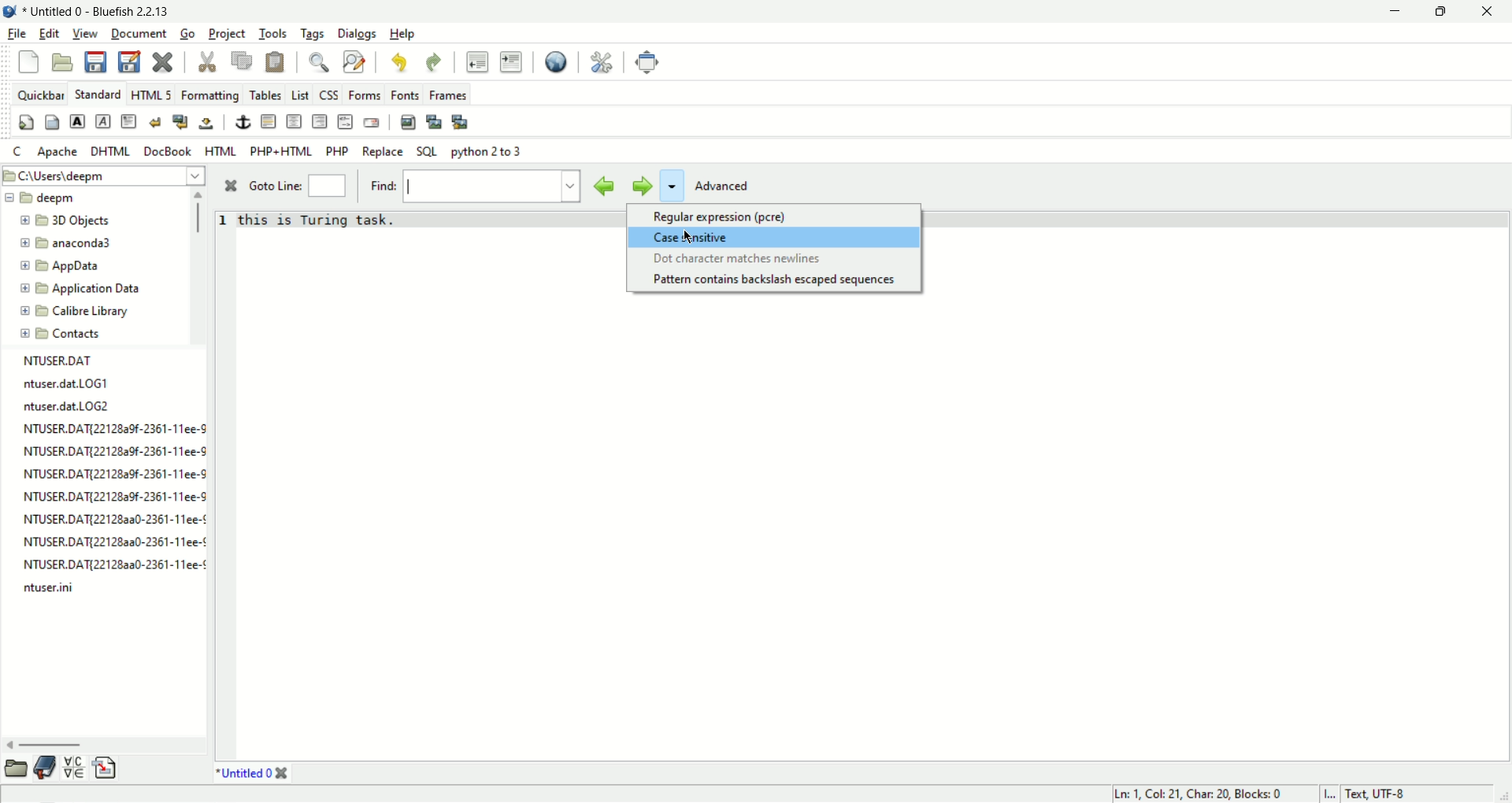 The height and width of the screenshot is (803, 1512). I want to click on cut, so click(209, 63).